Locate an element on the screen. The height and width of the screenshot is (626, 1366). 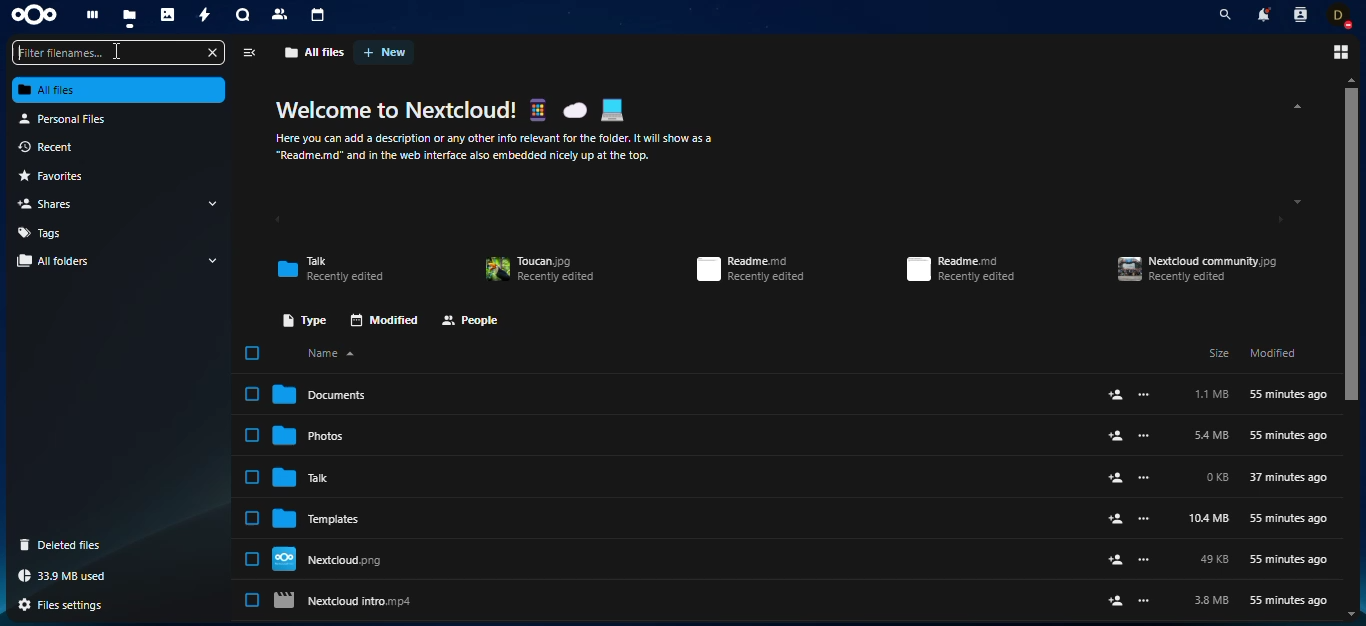
Size is located at coordinates (1219, 352).